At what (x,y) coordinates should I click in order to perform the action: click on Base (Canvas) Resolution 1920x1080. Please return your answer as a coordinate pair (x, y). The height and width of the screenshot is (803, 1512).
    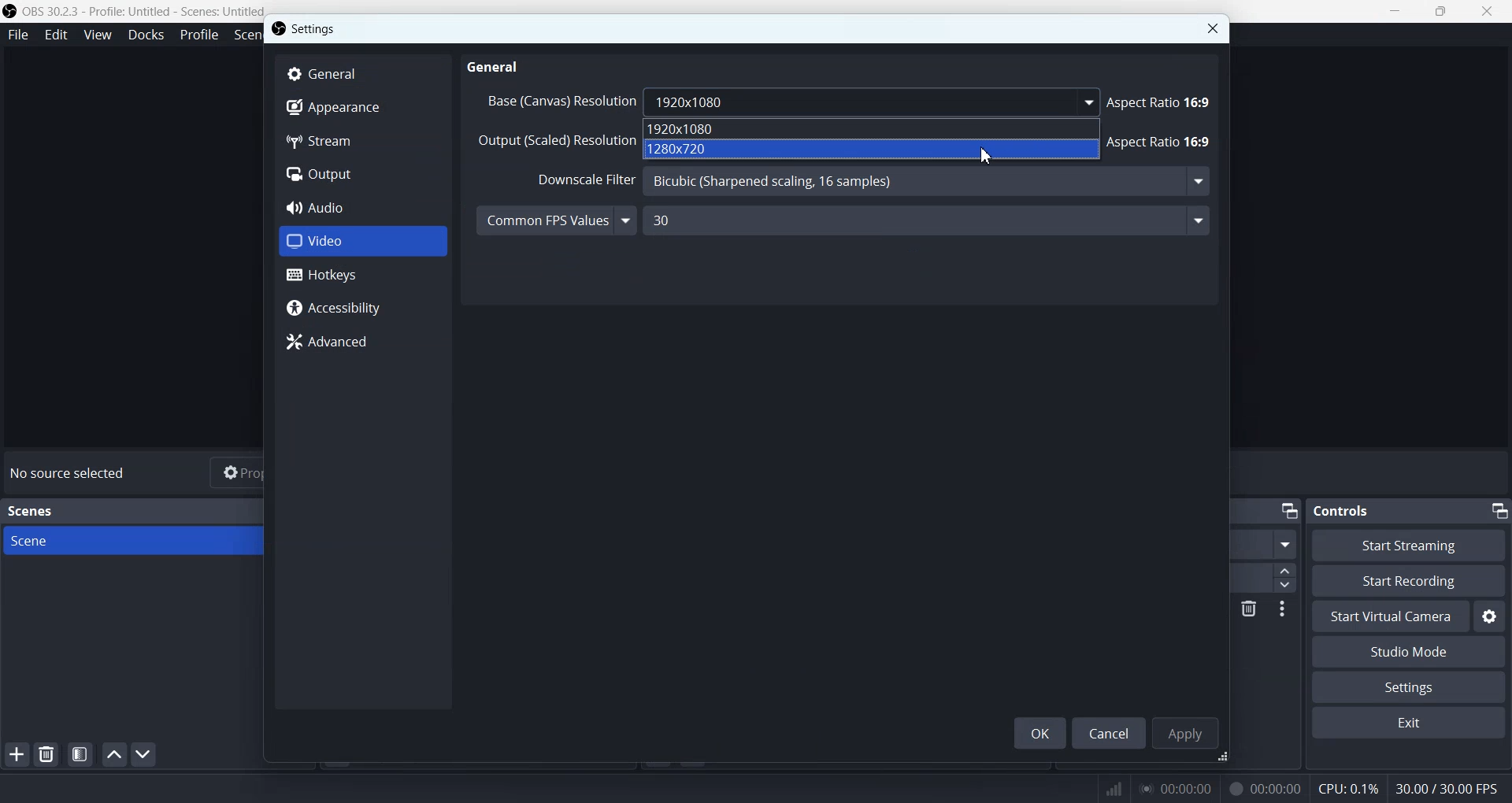
    Looking at the image, I should click on (790, 103).